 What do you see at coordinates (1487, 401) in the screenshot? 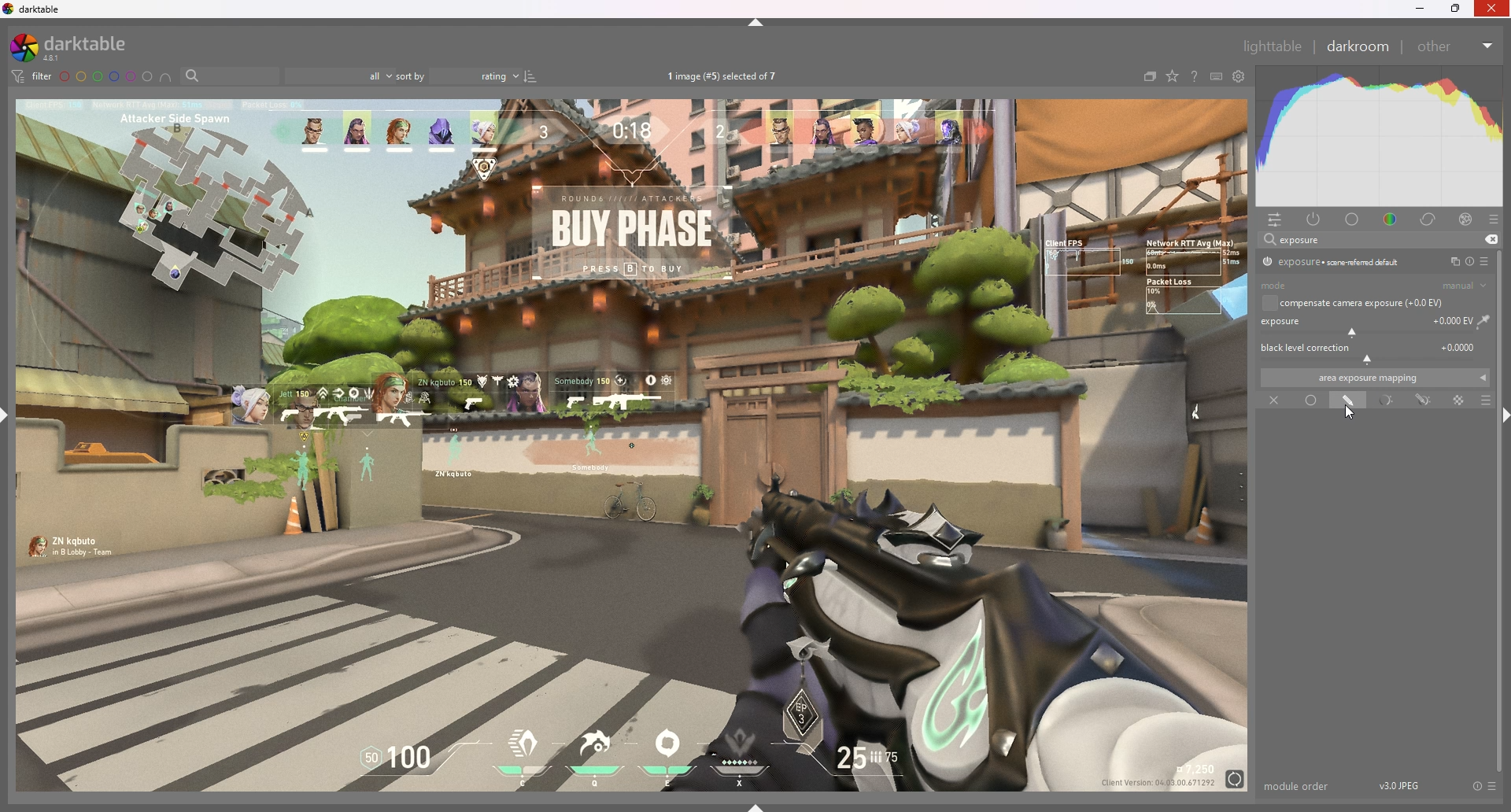
I see `blending options` at bounding box center [1487, 401].